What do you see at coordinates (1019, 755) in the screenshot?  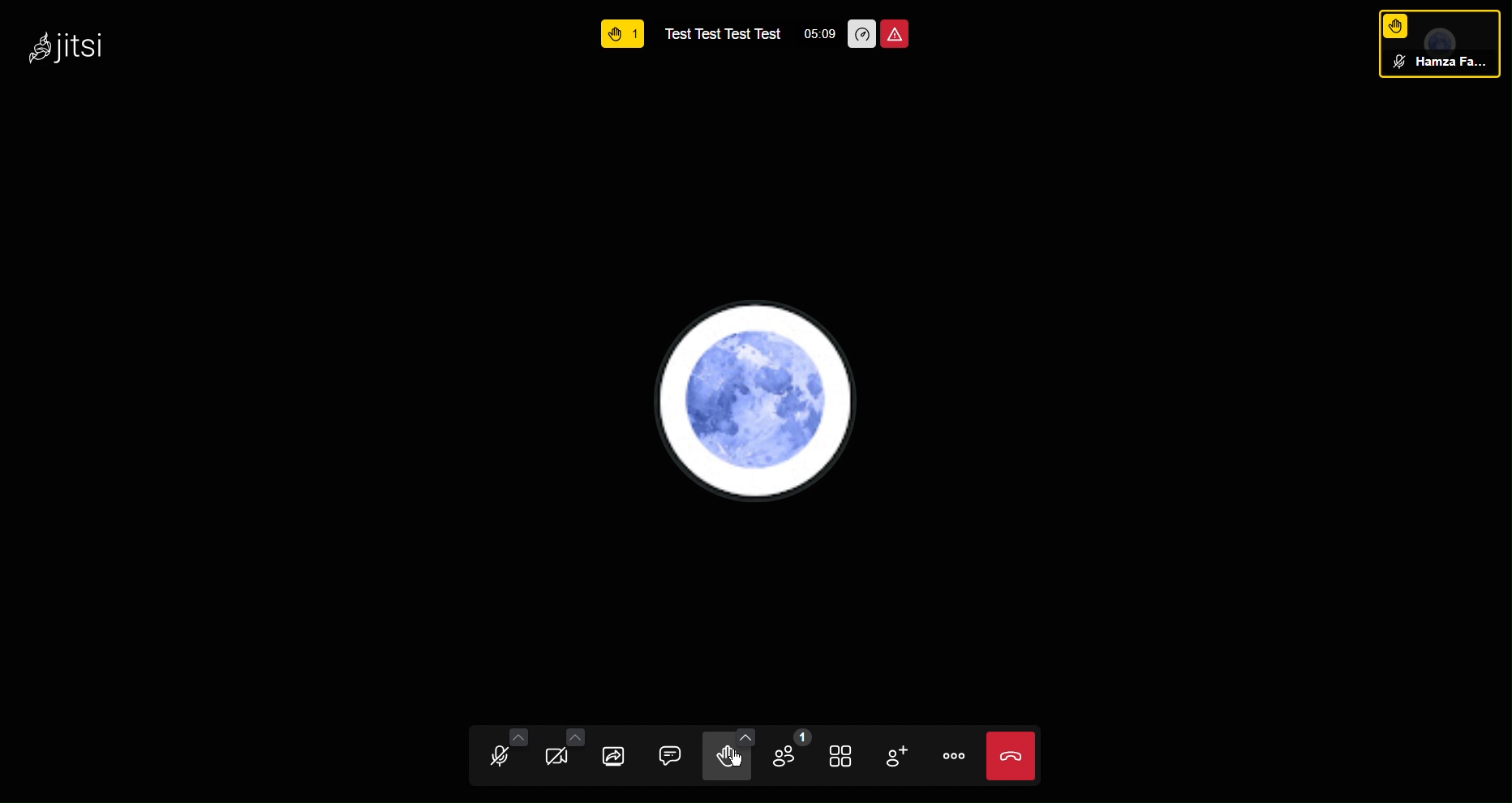 I see `Close` at bounding box center [1019, 755].